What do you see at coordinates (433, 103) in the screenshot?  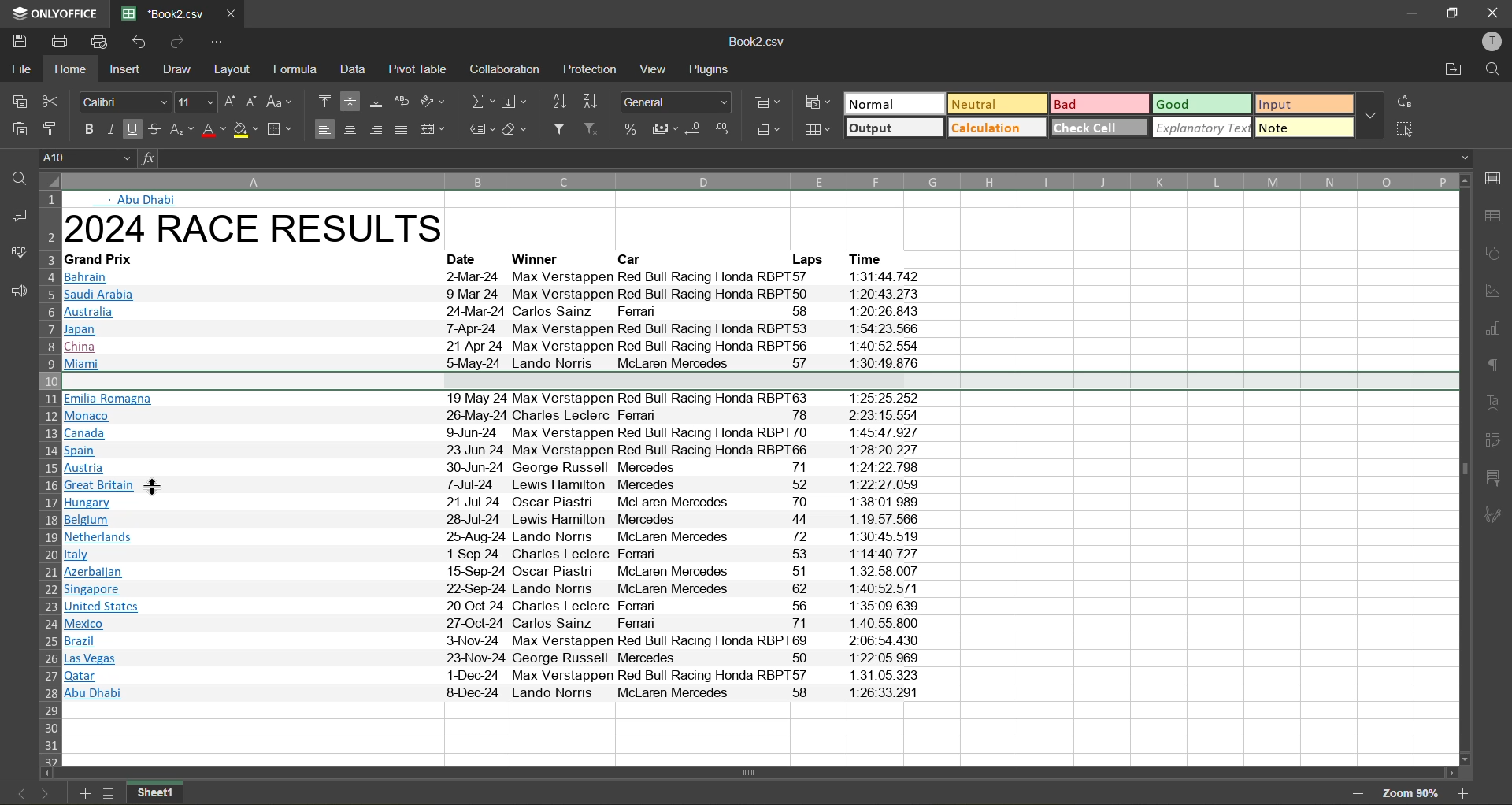 I see `orientation` at bounding box center [433, 103].